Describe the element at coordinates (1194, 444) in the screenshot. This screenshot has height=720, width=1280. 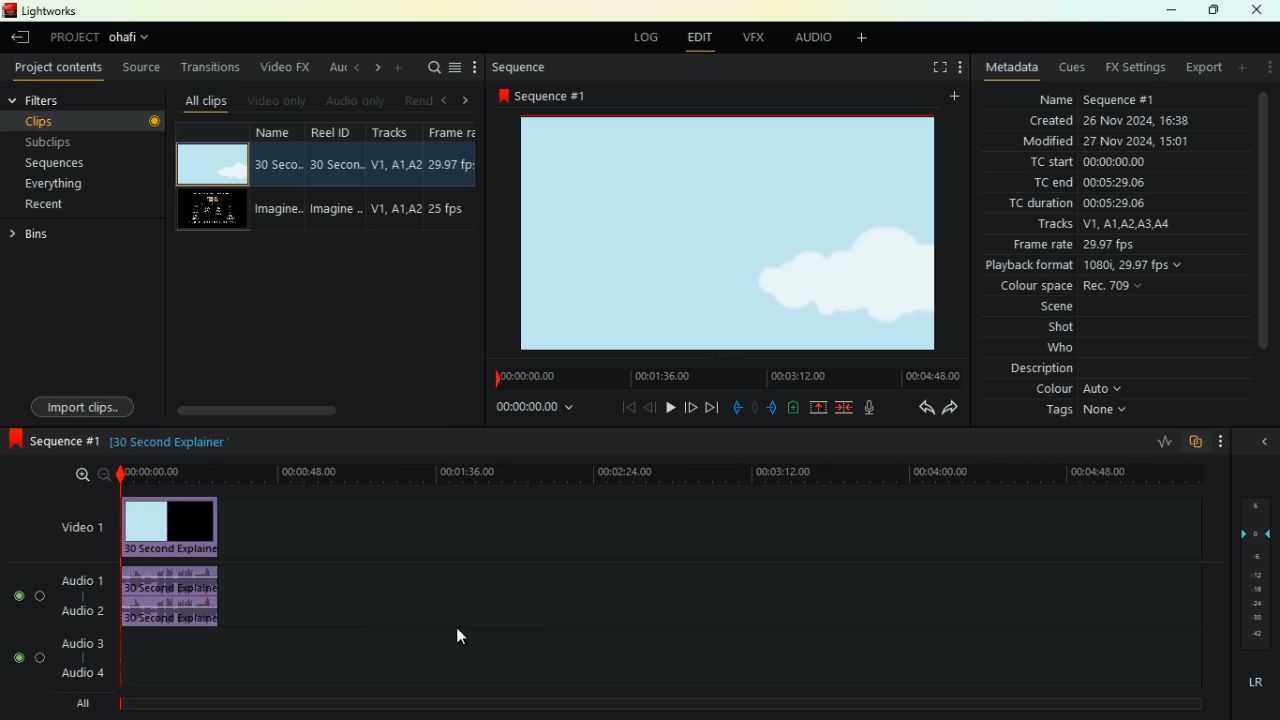
I see `overlap` at that location.